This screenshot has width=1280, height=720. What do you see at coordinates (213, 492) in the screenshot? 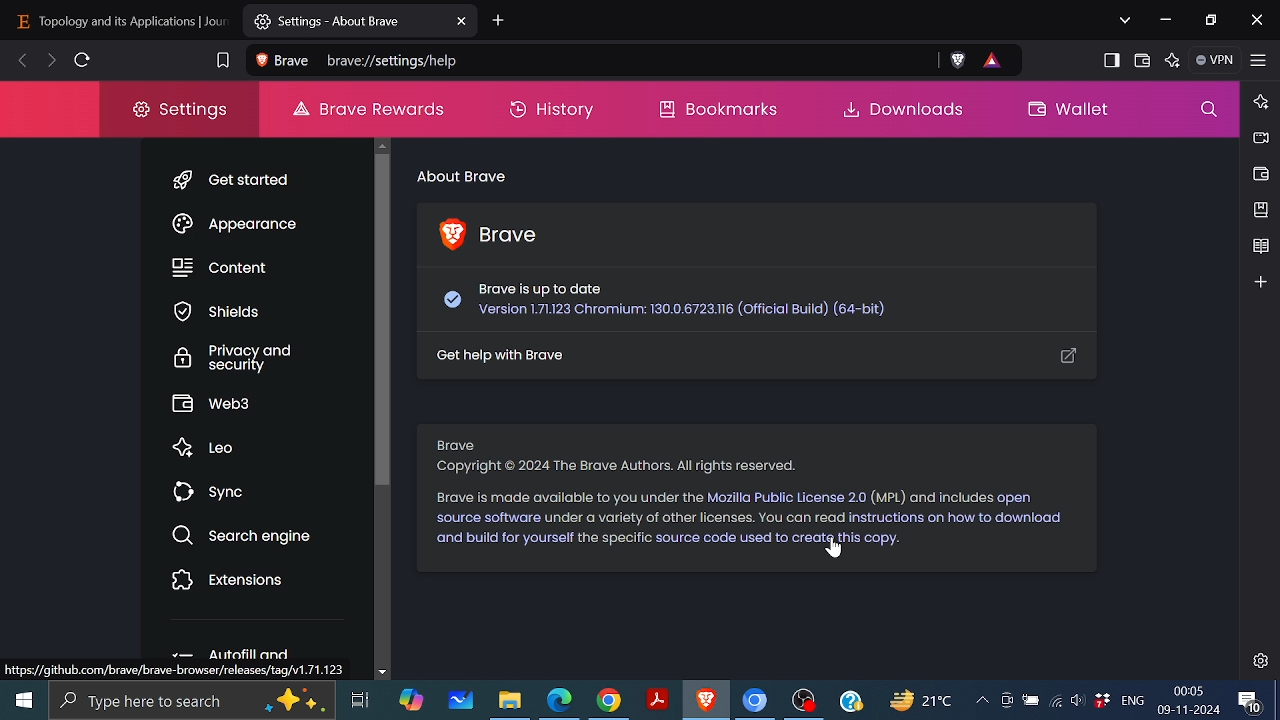
I see `Sync` at bounding box center [213, 492].